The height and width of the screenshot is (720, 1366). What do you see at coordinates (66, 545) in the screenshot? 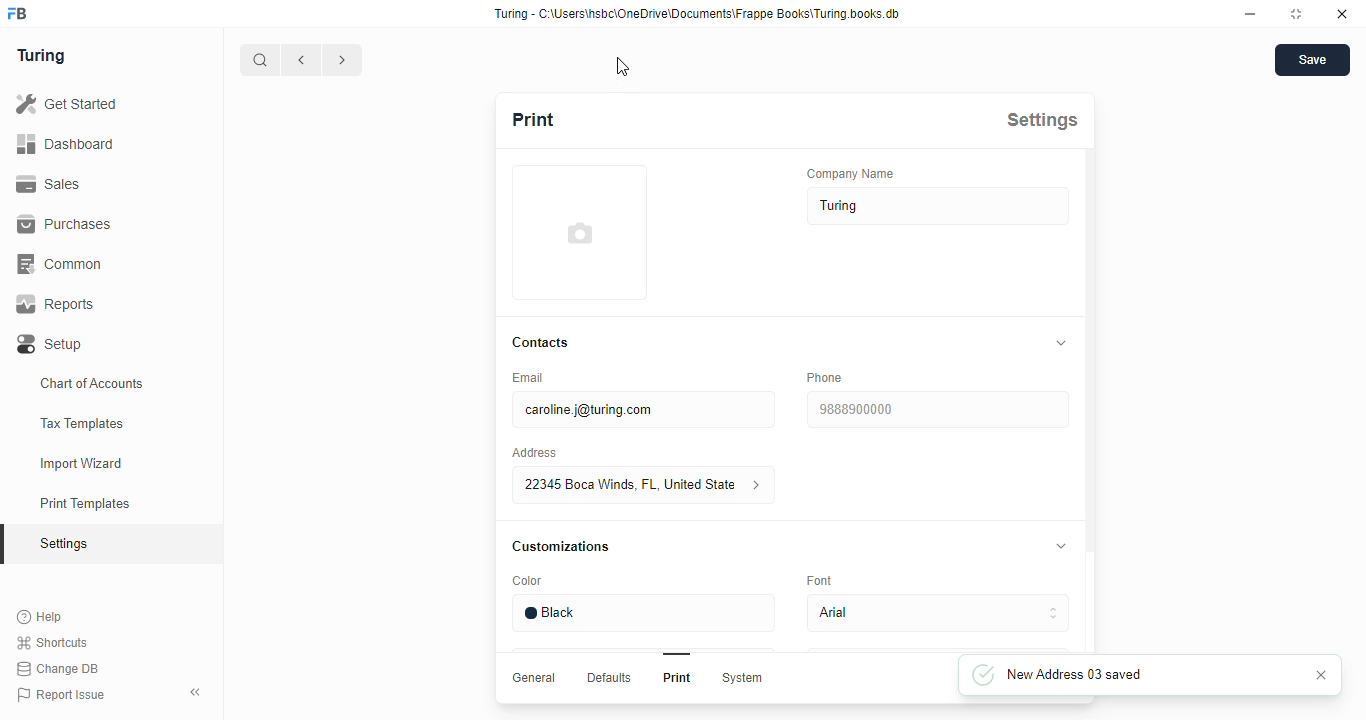
I see `settings` at bounding box center [66, 545].